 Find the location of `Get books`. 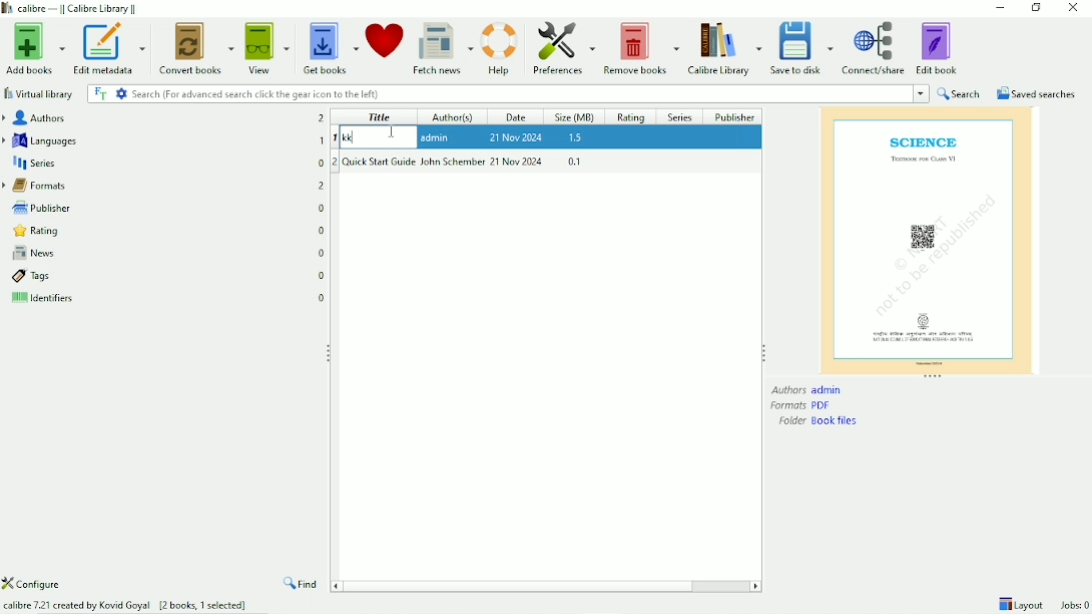

Get books is located at coordinates (329, 47).